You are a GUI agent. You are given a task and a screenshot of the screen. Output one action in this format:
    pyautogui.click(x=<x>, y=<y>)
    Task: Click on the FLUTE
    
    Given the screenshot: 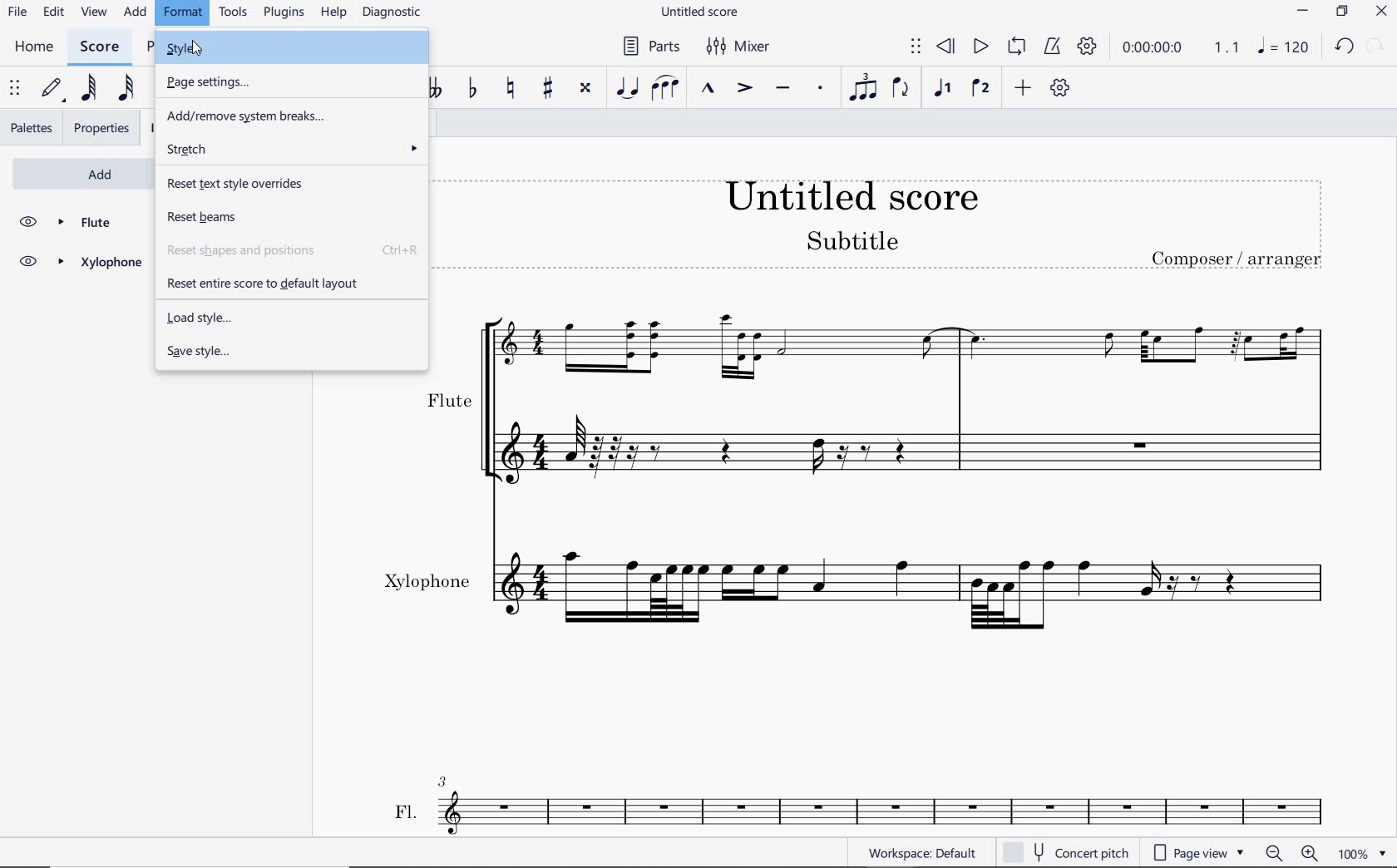 What is the action you would take?
    pyautogui.click(x=886, y=394)
    